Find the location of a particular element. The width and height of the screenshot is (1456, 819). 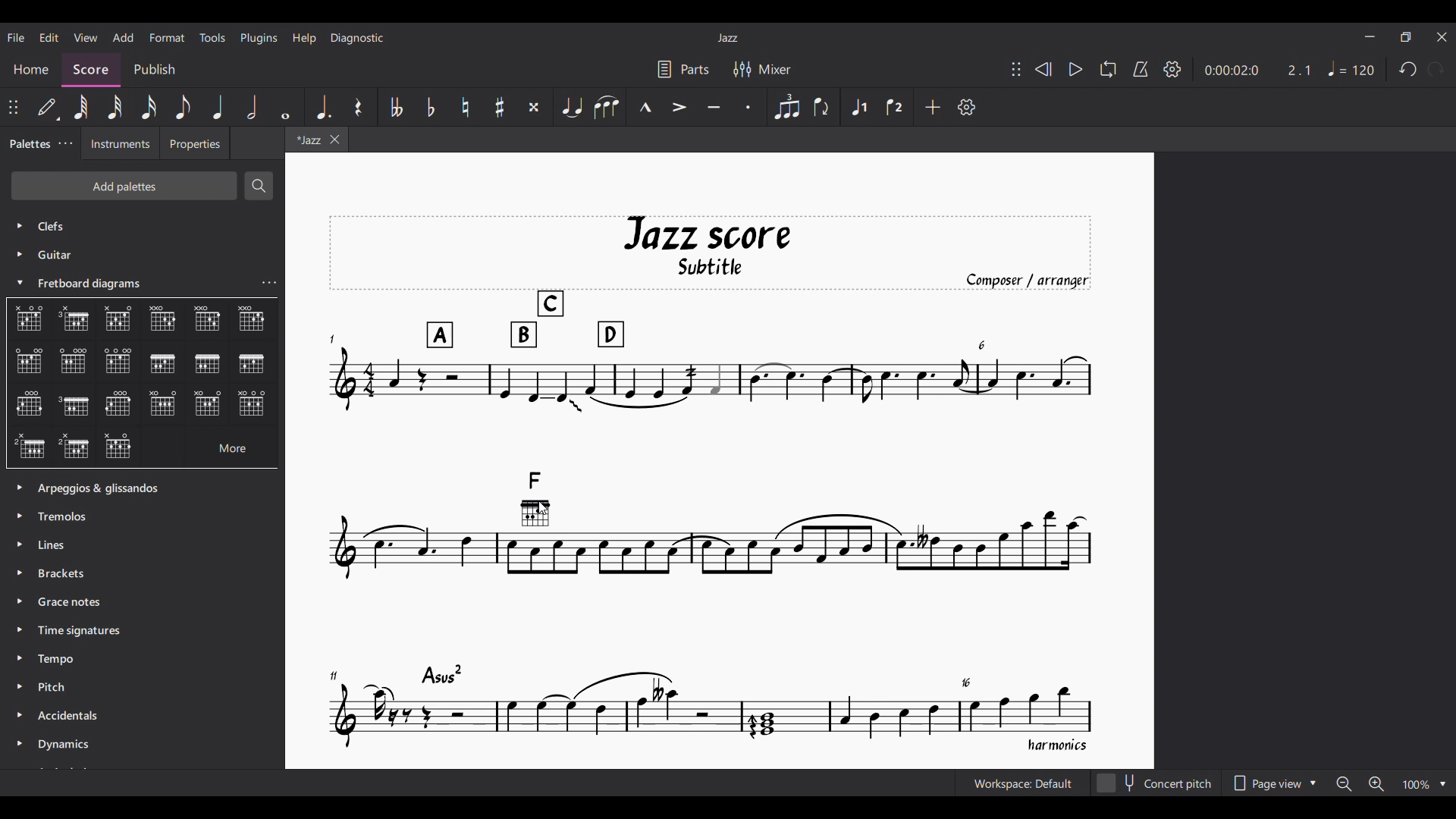

16th note is located at coordinates (149, 107).